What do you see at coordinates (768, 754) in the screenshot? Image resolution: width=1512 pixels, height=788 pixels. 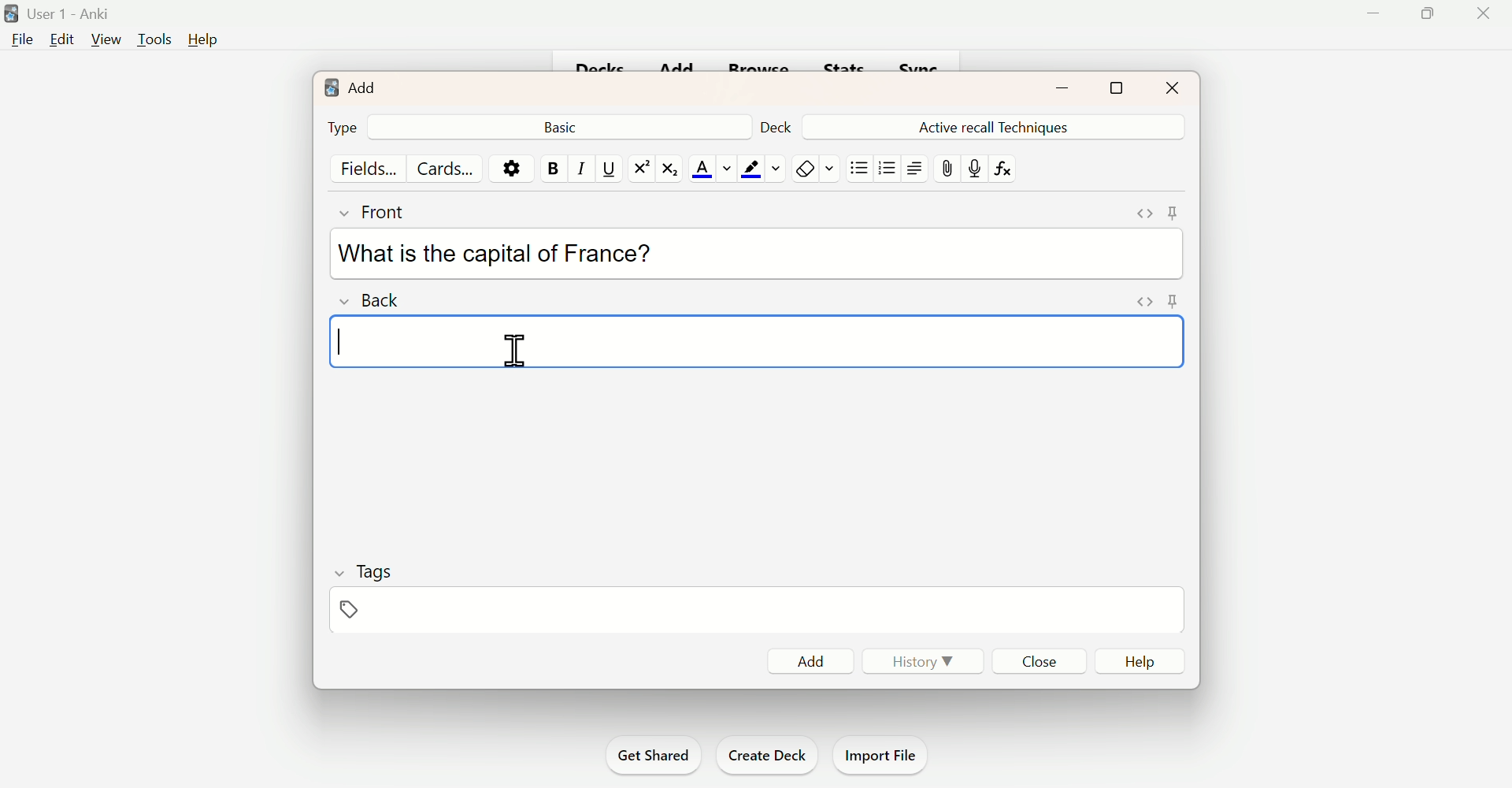 I see `Create Deck` at bounding box center [768, 754].